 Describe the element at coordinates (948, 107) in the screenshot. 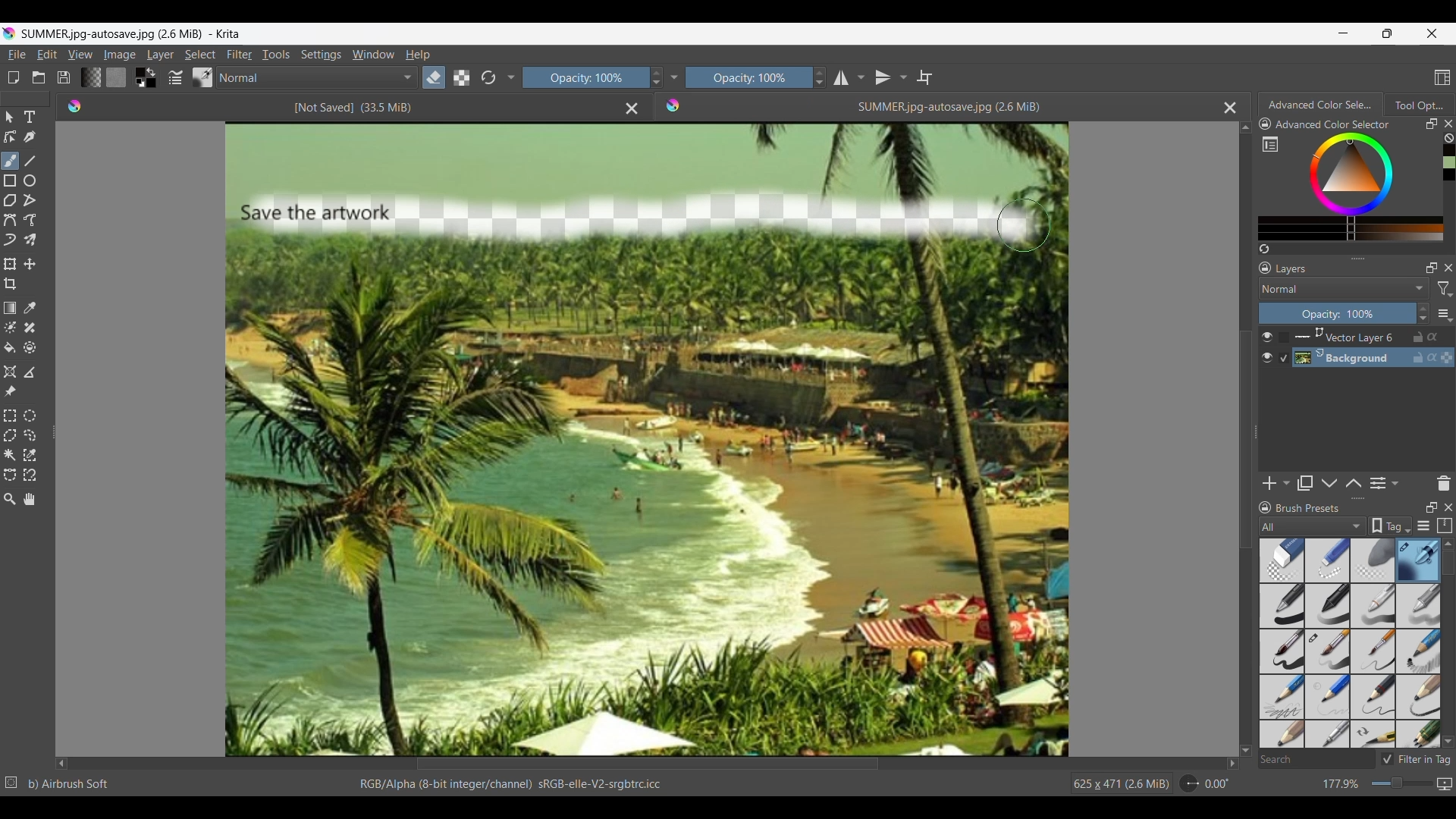

I see `SUMMER.jpg-autosave.jpg (2.6 MiB)` at that location.